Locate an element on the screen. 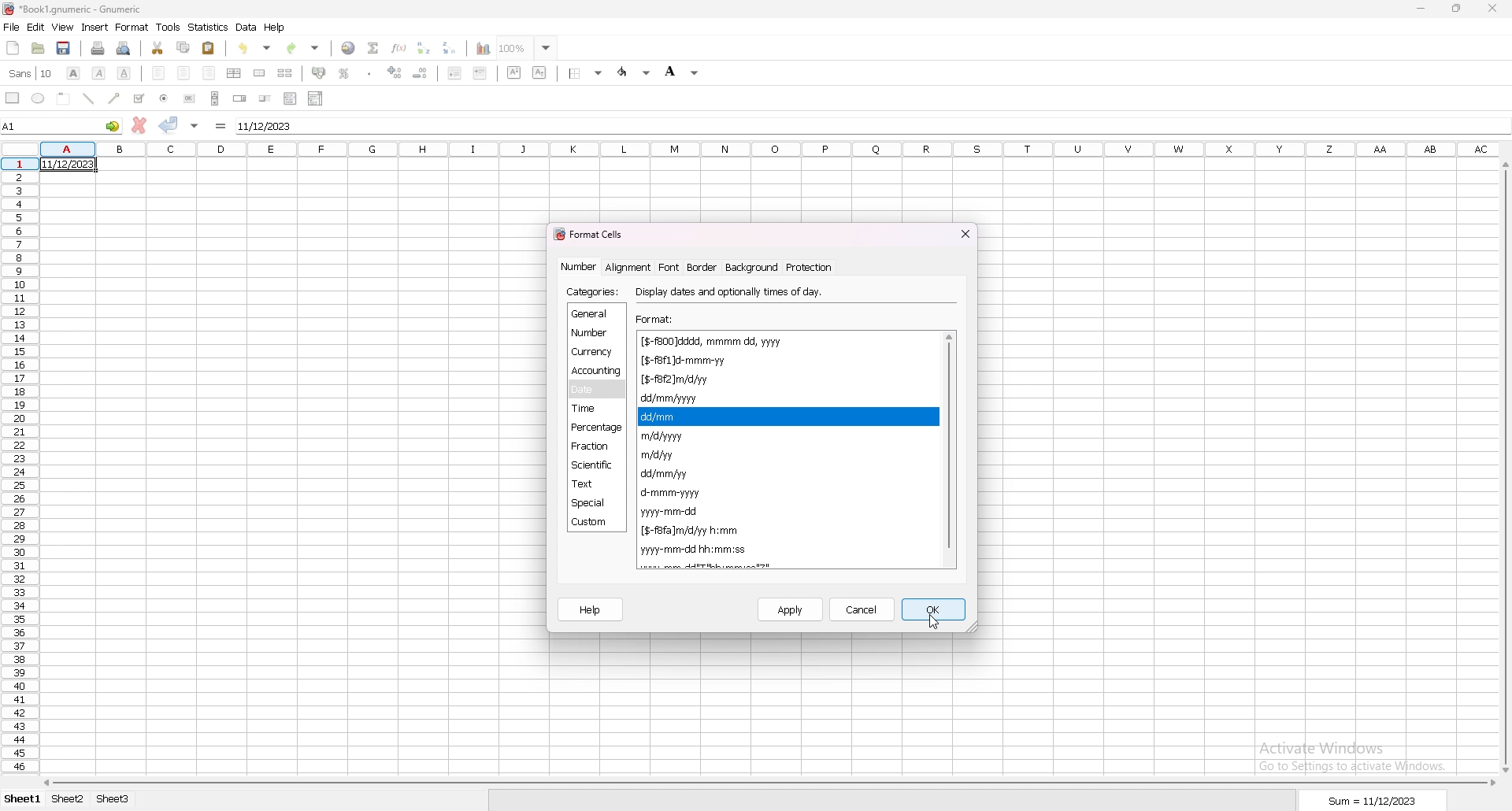  close is located at coordinates (1494, 9).